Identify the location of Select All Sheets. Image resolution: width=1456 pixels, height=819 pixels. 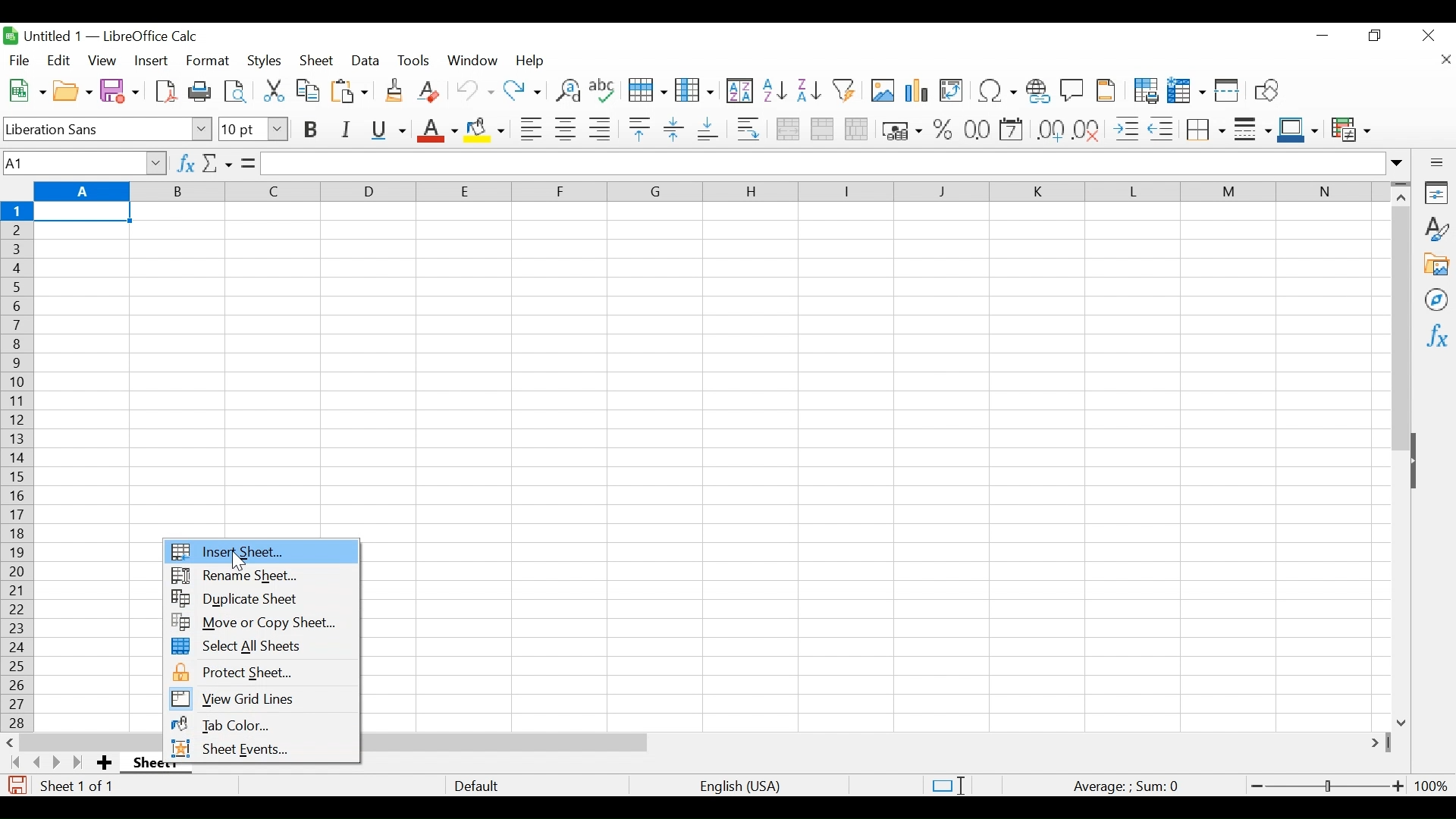
(262, 646).